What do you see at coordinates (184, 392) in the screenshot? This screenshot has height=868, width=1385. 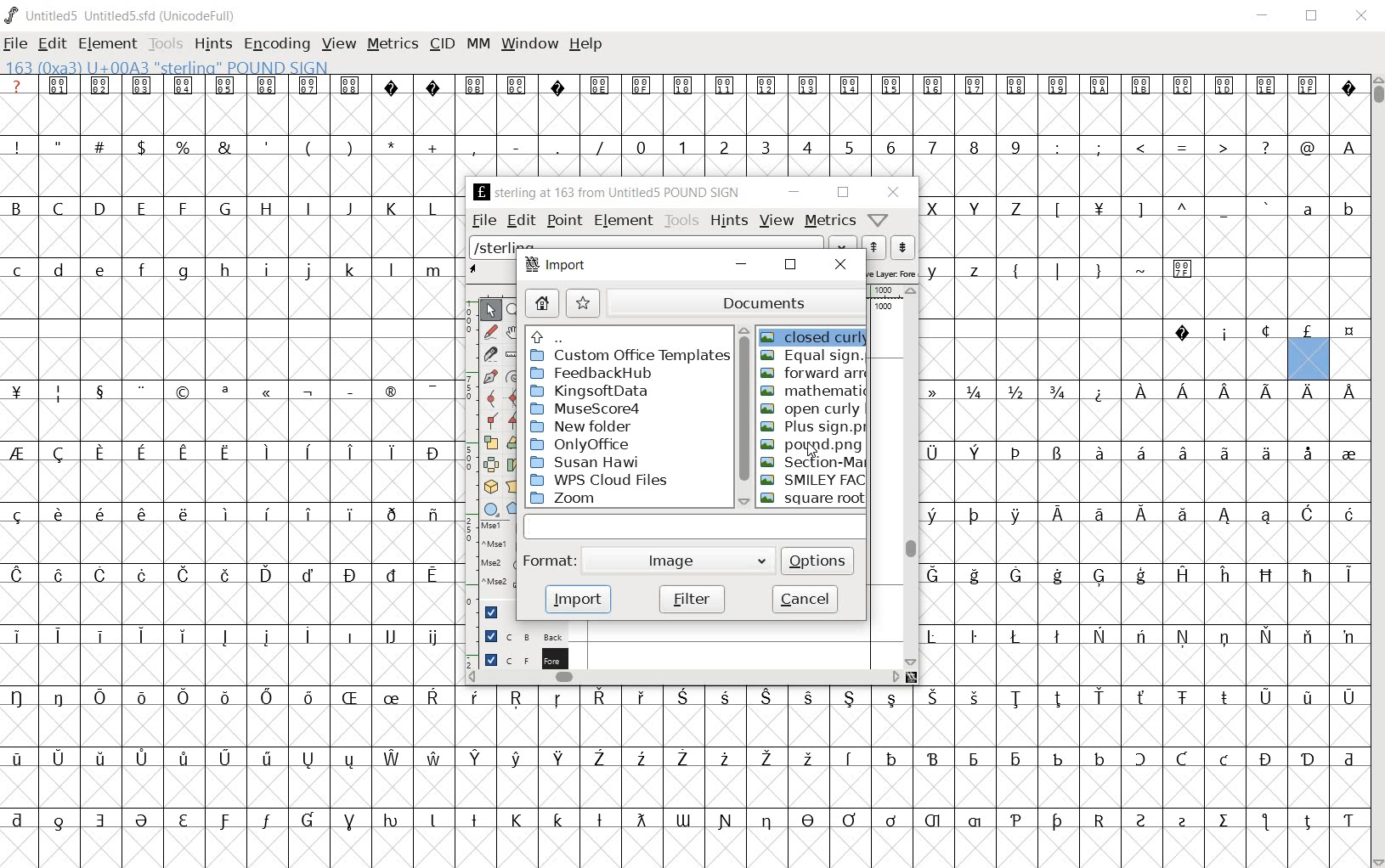 I see `Symbol` at bounding box center [184, 392].